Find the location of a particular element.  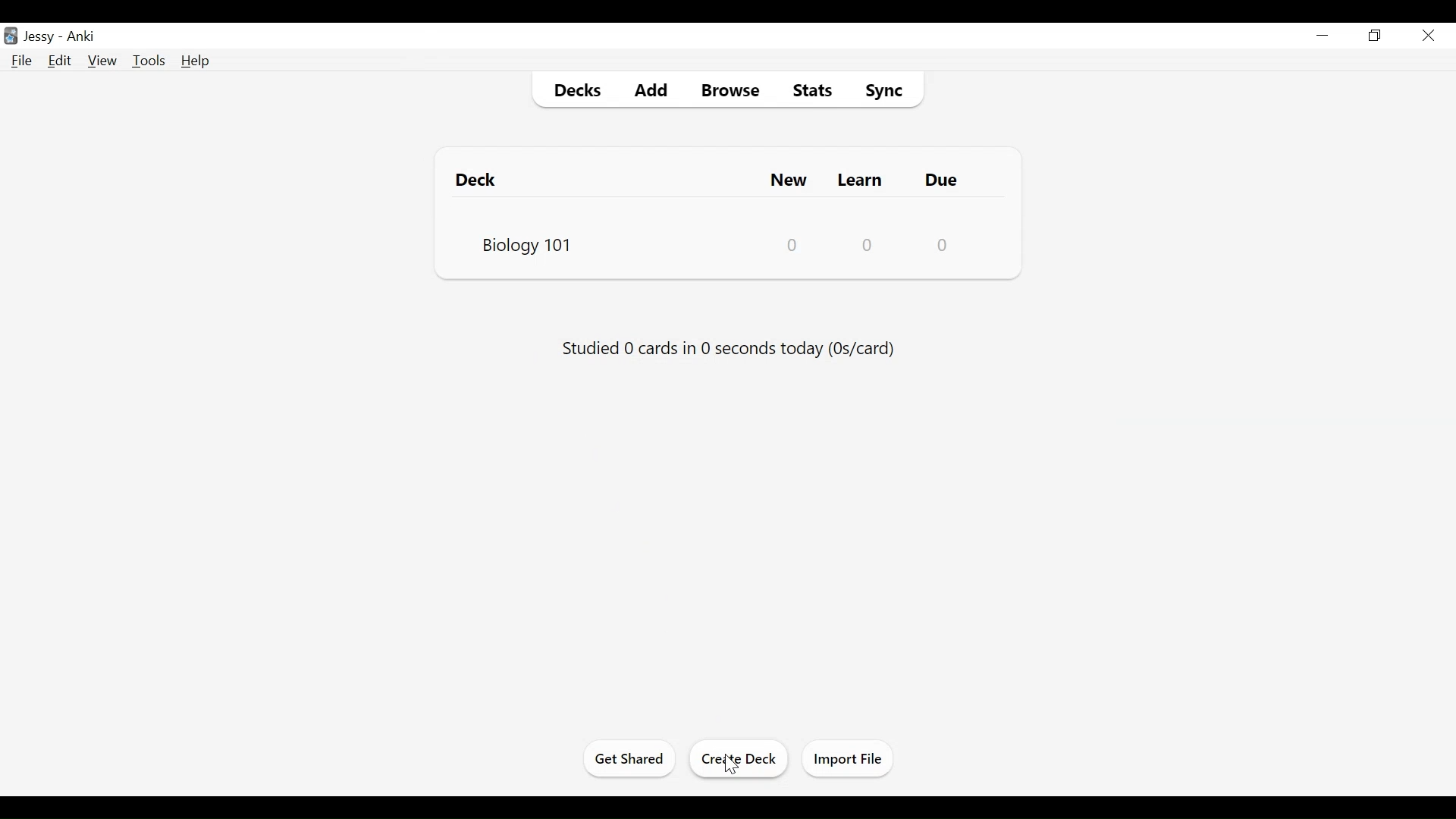

Tools is located at coordinates (149, 61).